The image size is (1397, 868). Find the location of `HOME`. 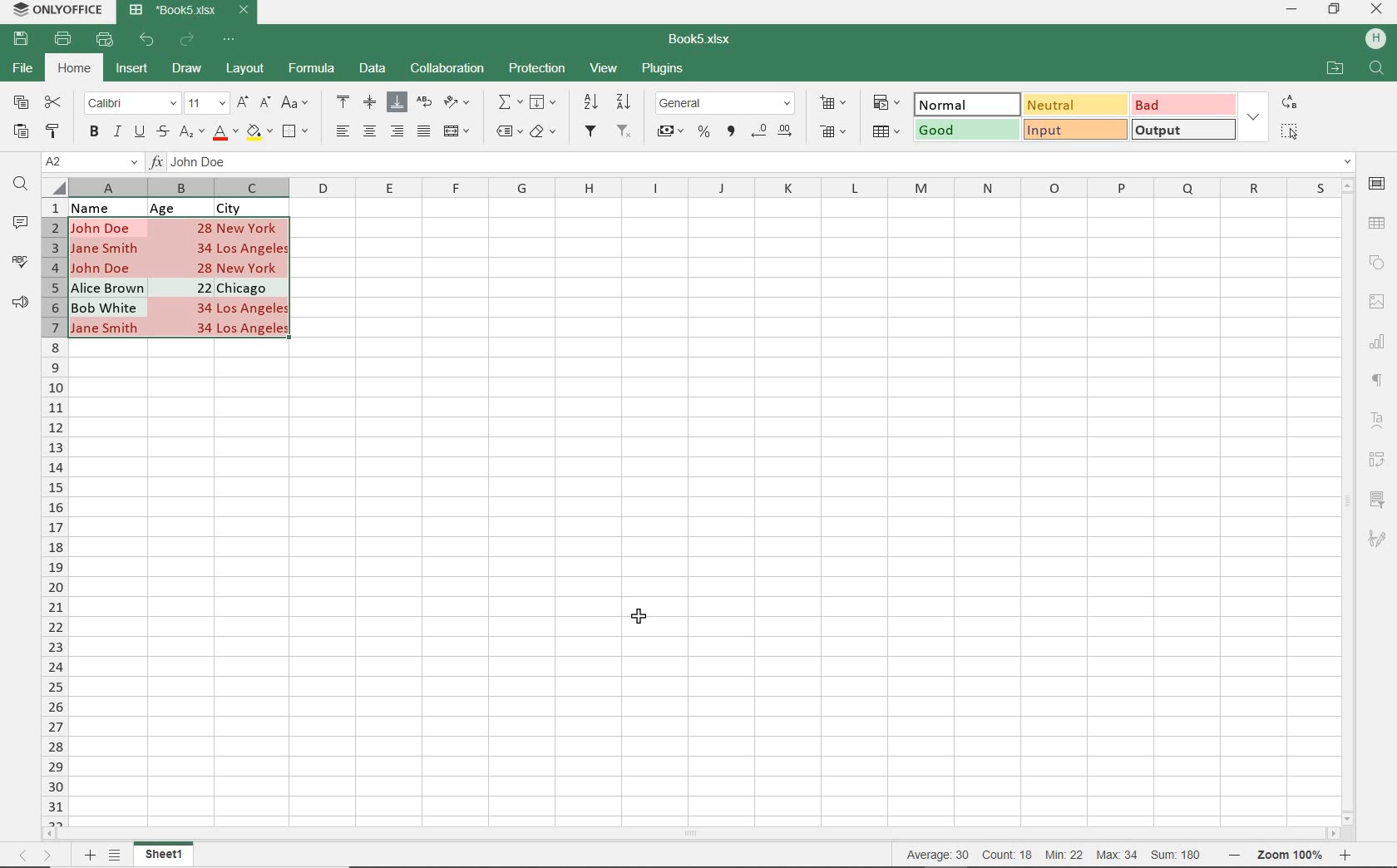

HOME is located at coordinates (76, 70).